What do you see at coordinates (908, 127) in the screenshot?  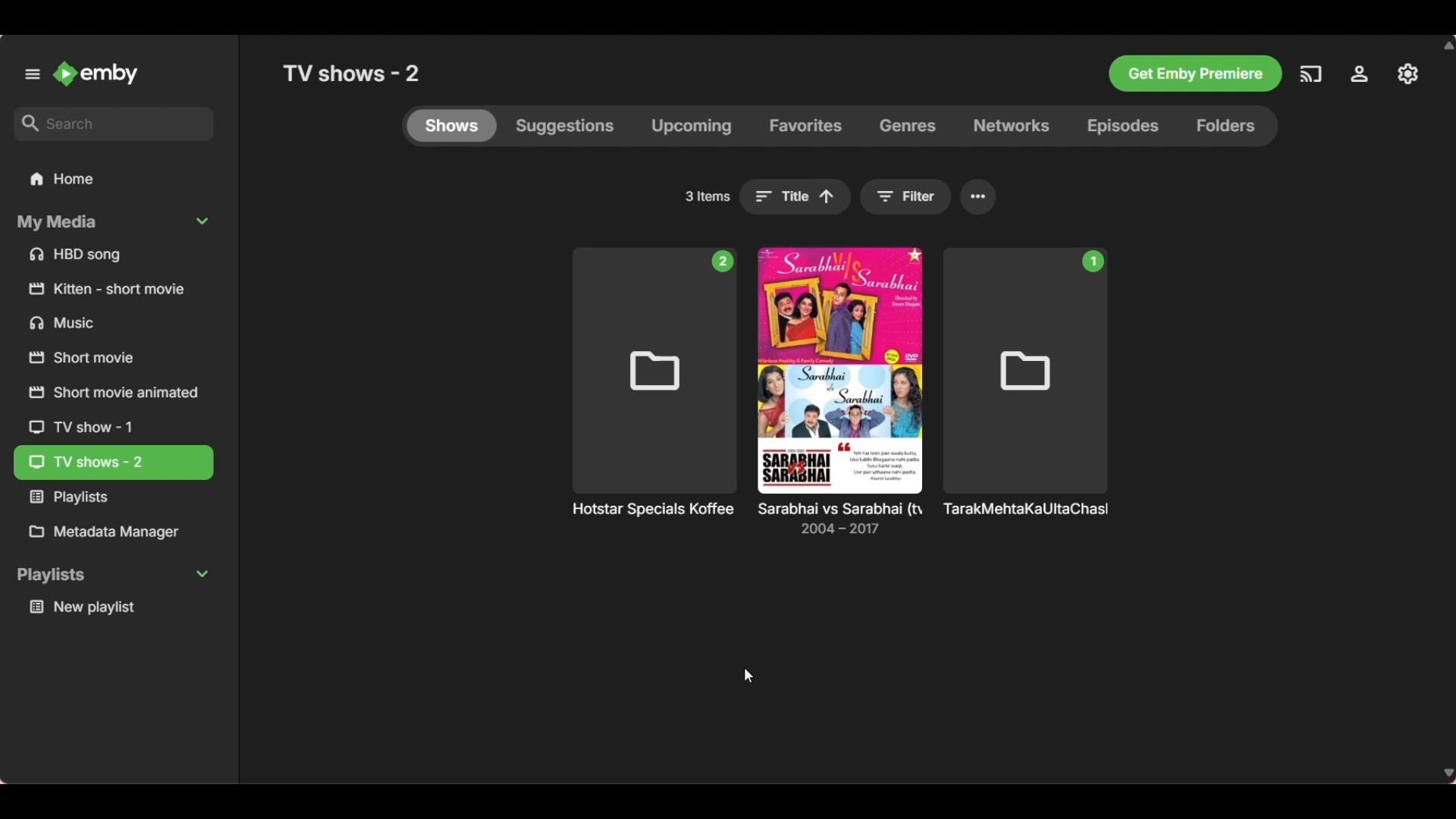 I see `Genres` at bounding box center [908, 127].